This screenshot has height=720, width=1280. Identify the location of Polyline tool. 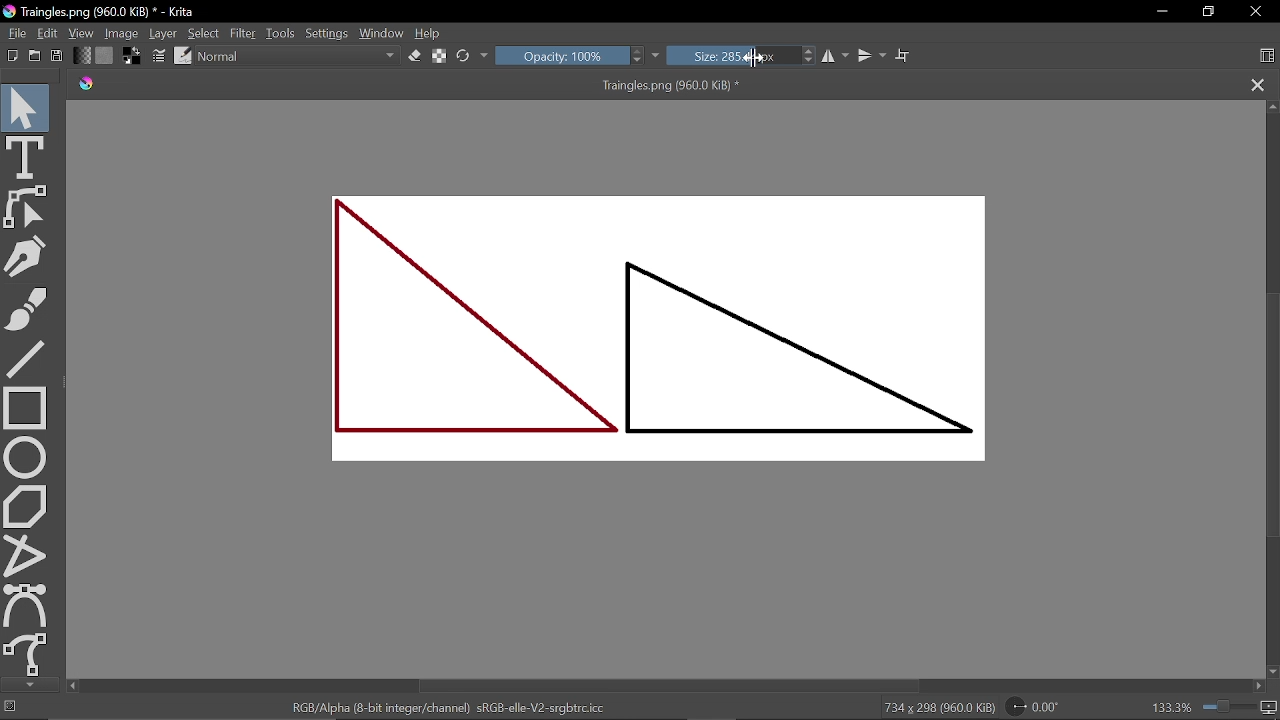
(26, 555).